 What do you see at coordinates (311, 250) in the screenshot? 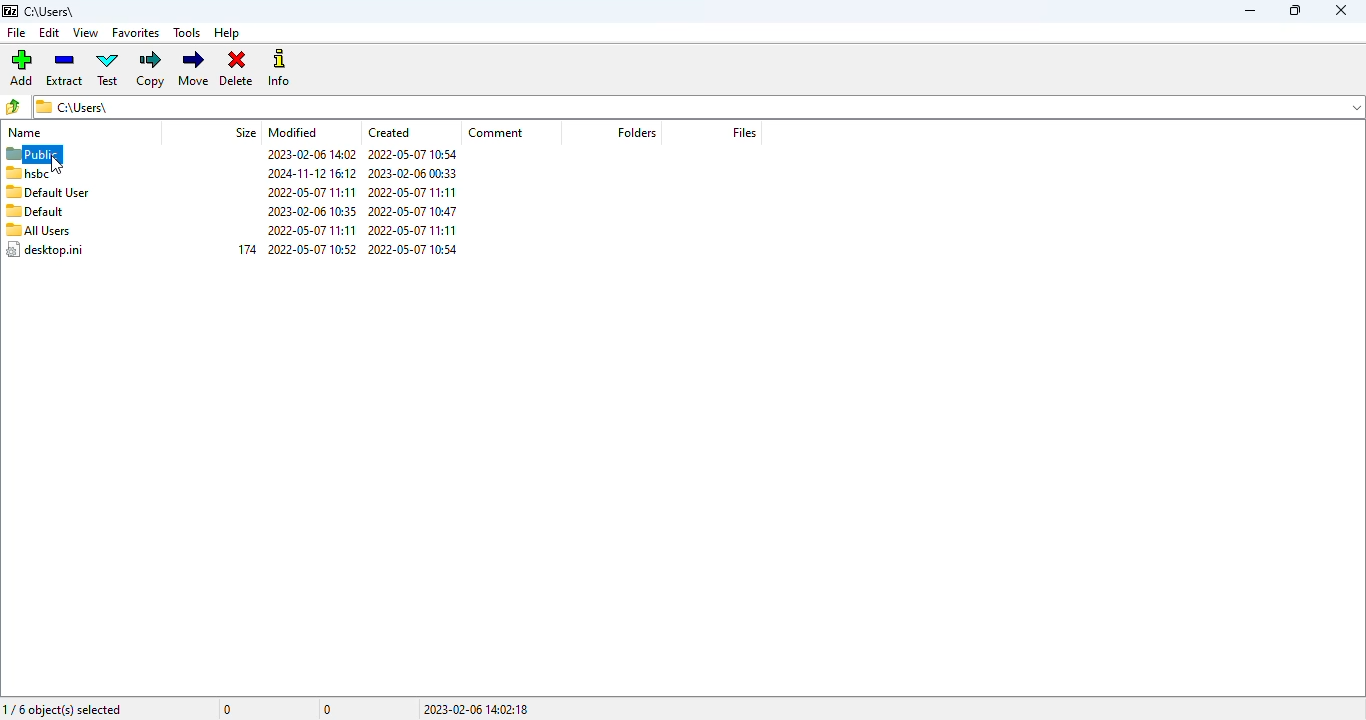
I see ` 2022-05-07 10:52` at bounding box center [311, 250].